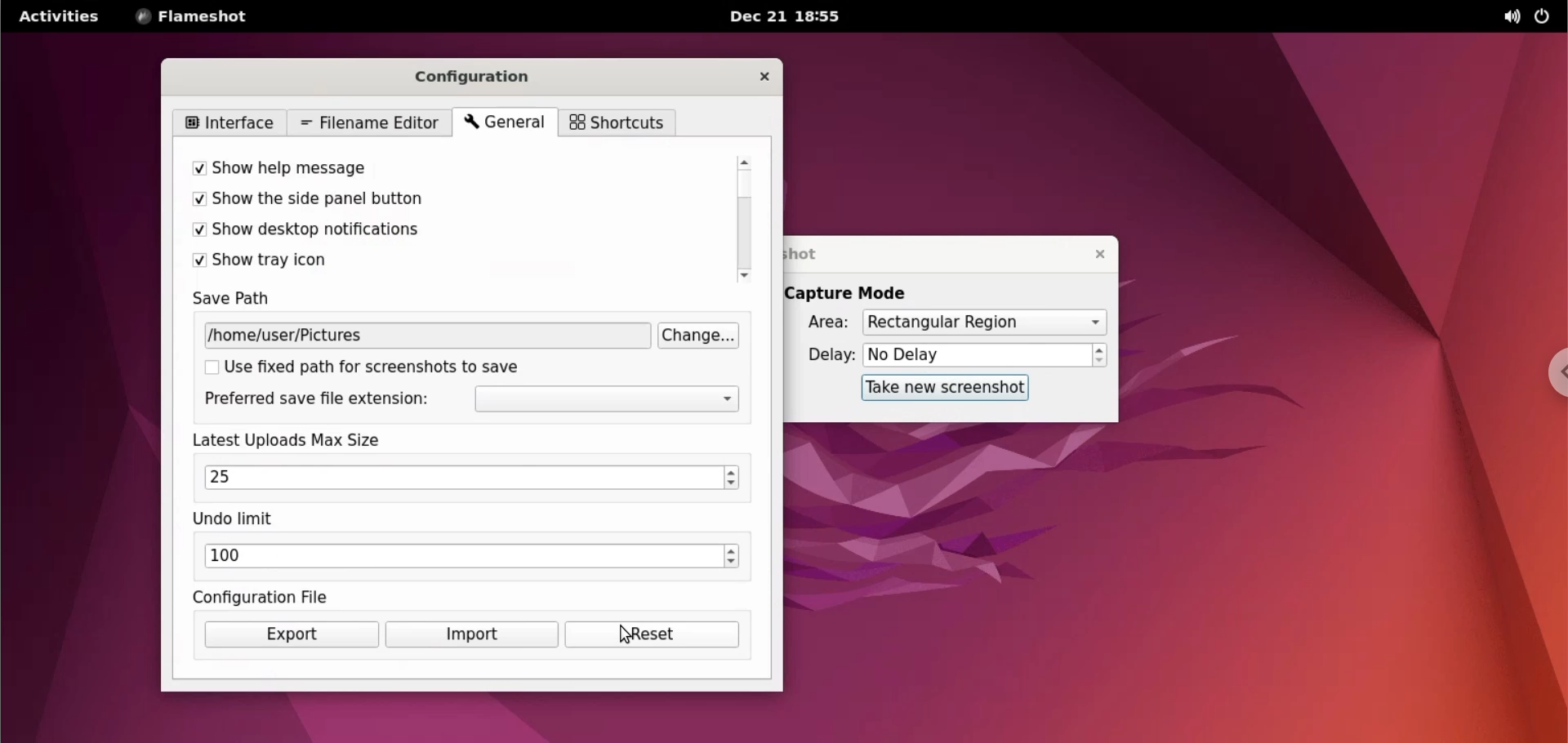  Describe the element at coordinates (817, 323) in the screenshot. I see `area` at that location.